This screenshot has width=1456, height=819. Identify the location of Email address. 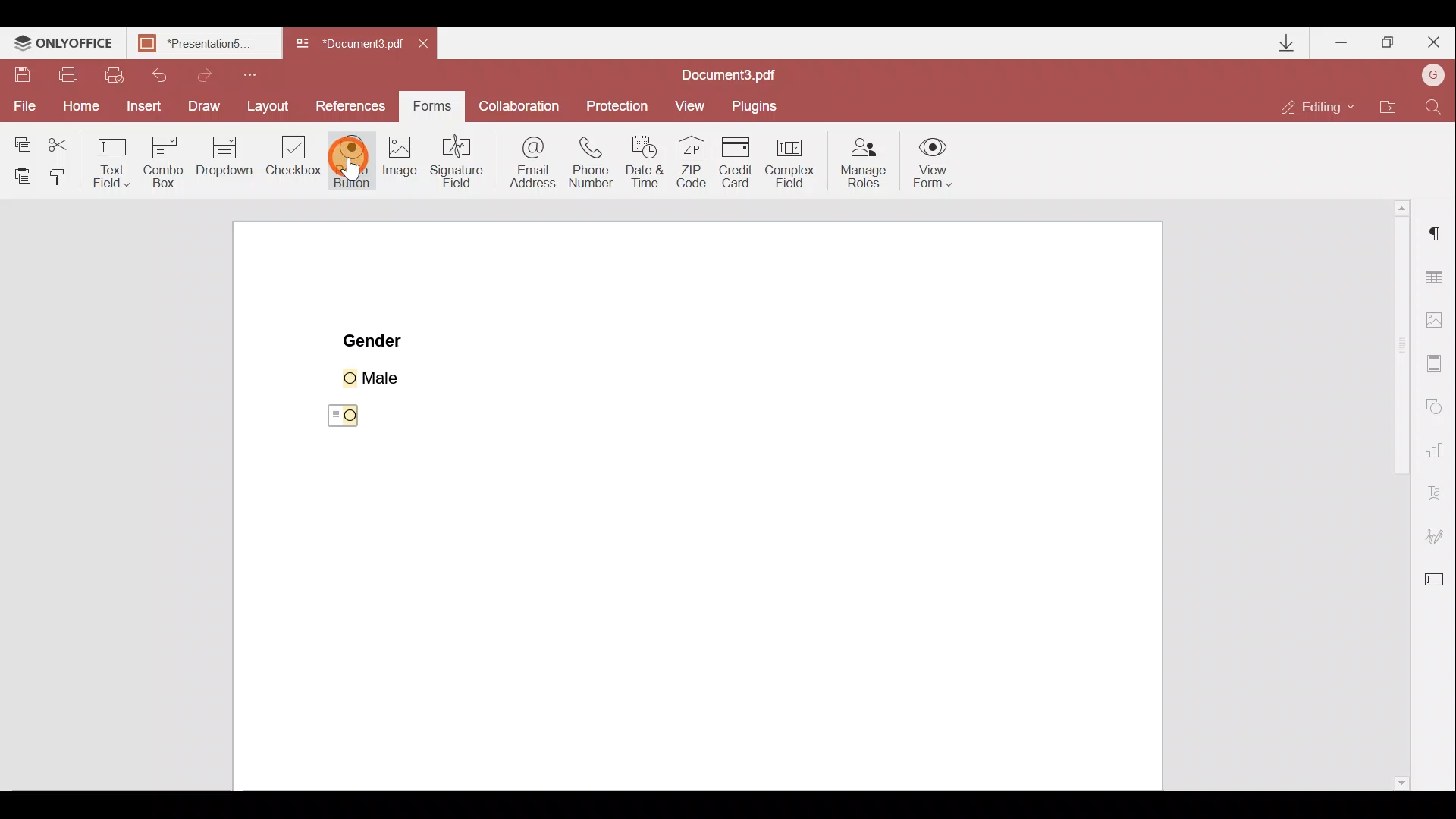
(531, 163).